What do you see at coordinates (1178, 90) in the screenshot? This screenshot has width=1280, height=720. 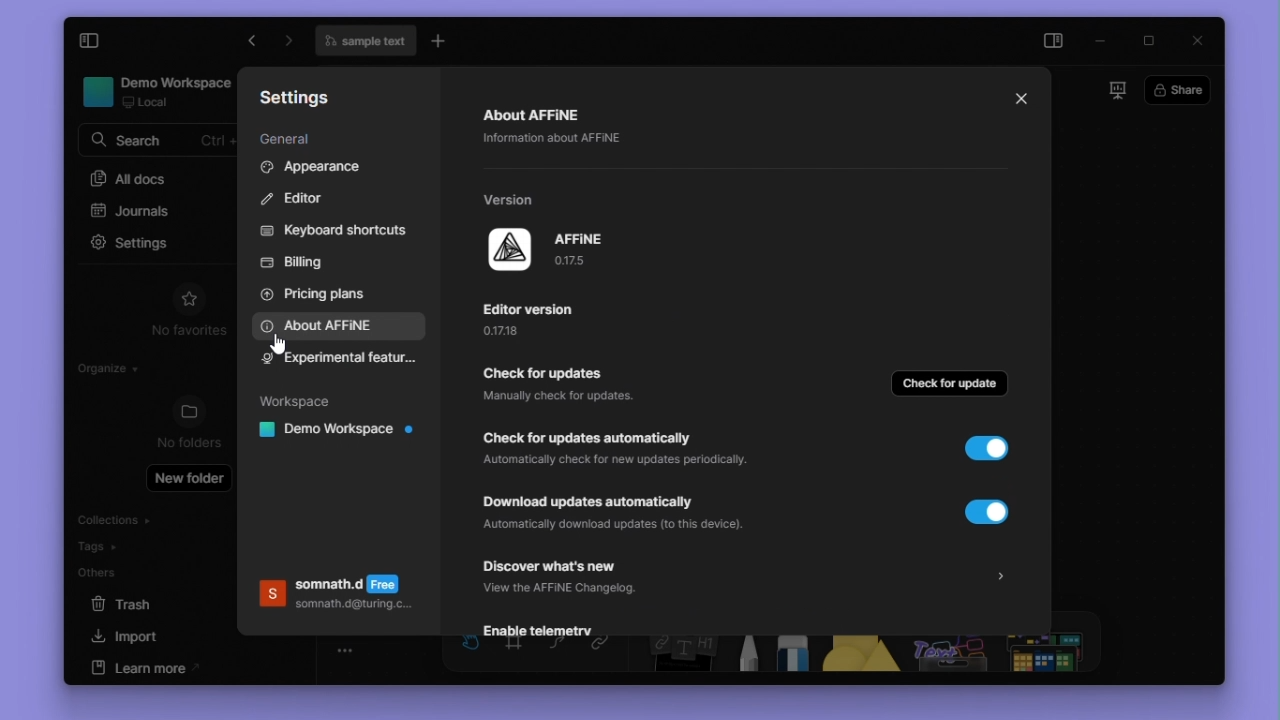 I see `share` at bounding box center [1178, 90].